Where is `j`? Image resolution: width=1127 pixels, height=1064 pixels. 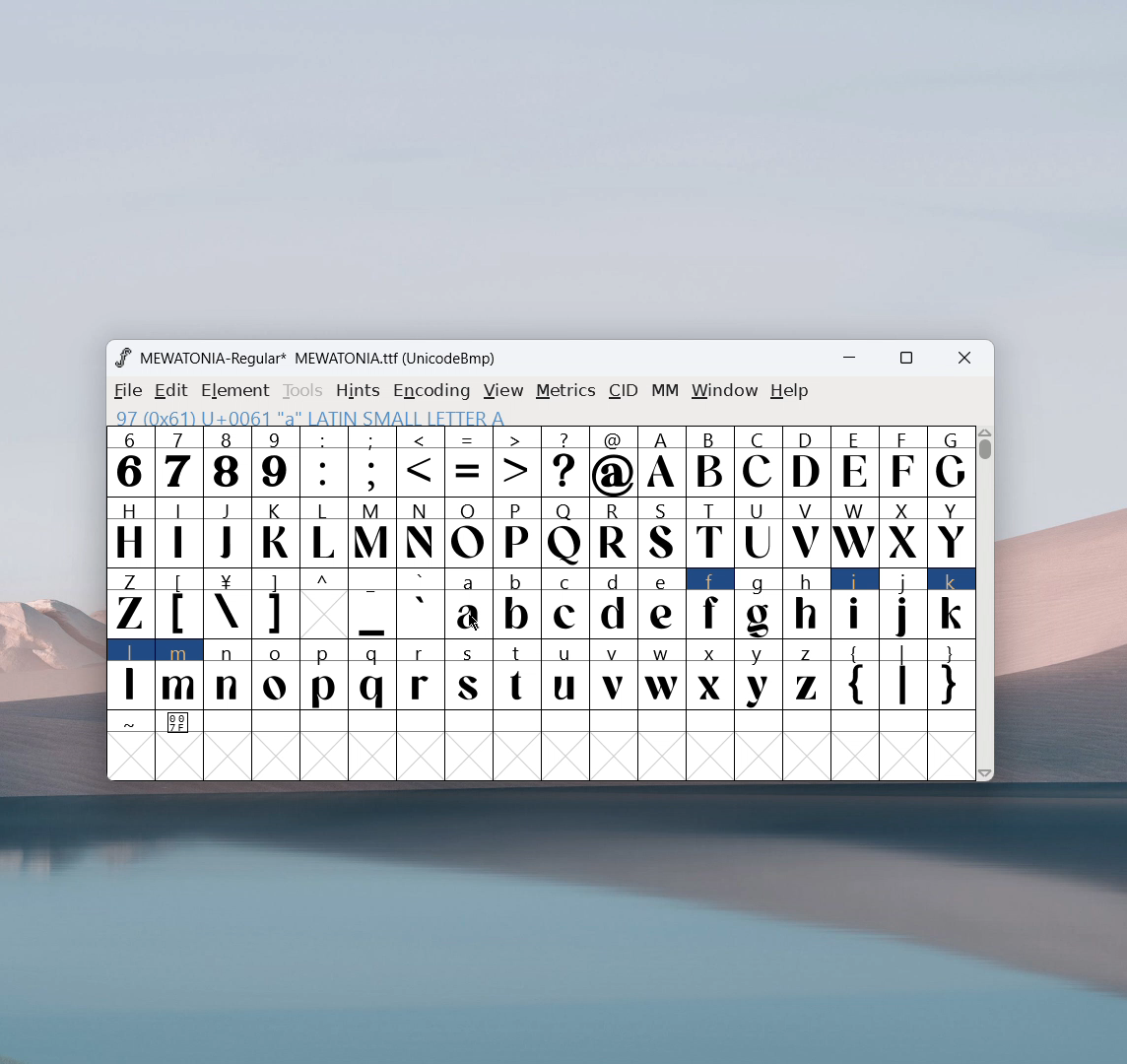
j is located at coordinates (904, 604).